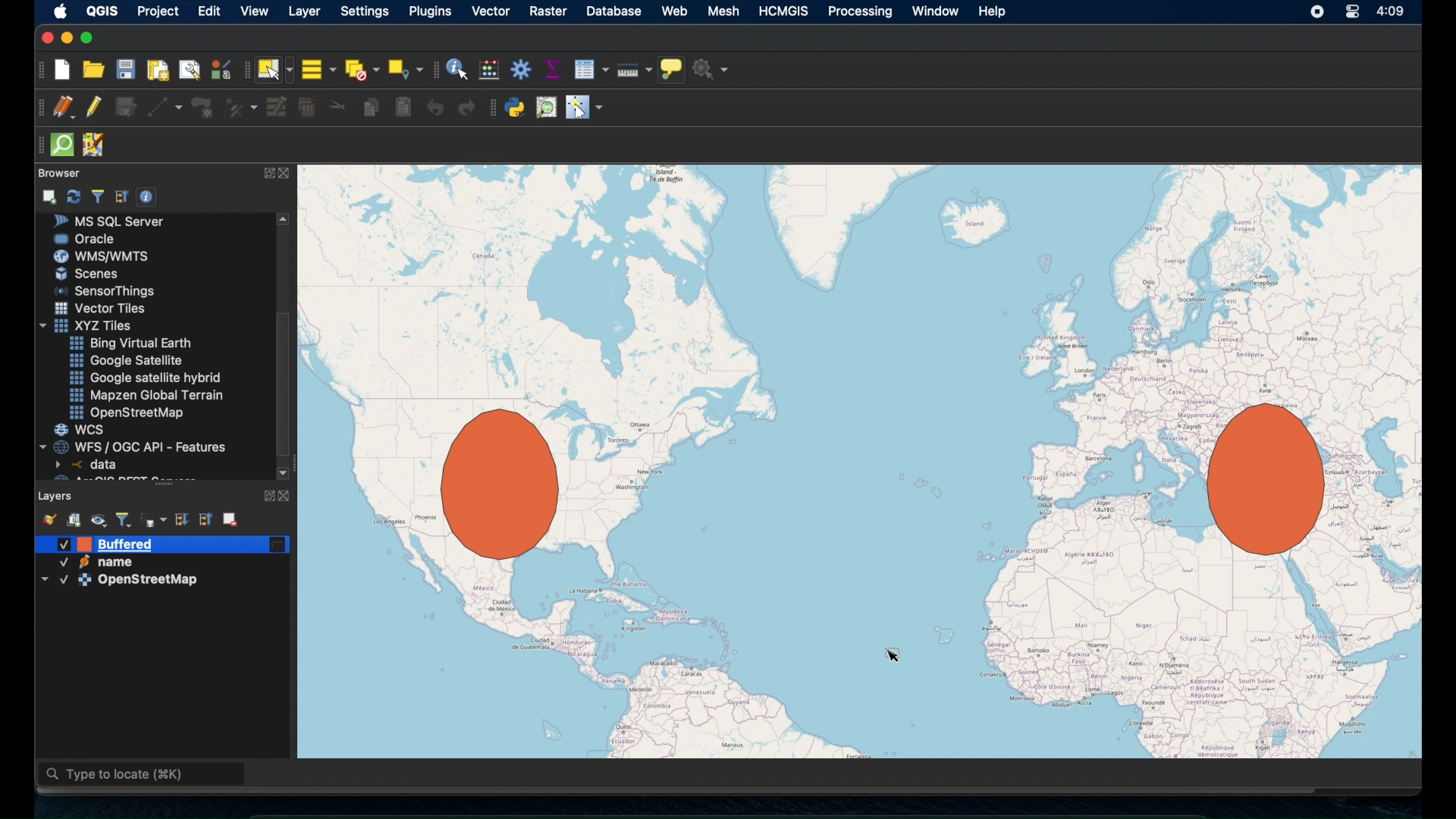  What do you see at coordinates (203, 106) in the screenshot?
I see `add point feature` at bounding box center [203, 106].